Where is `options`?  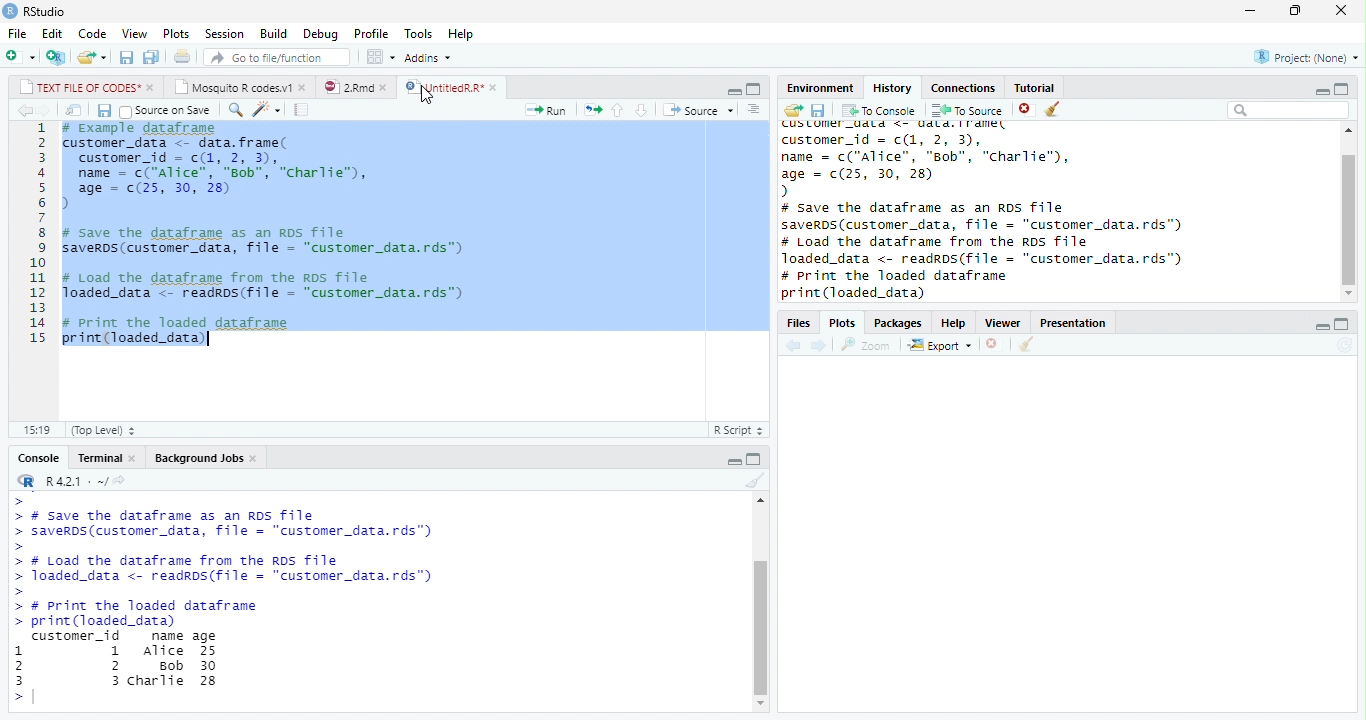 options is located at coordinates (756, 110).